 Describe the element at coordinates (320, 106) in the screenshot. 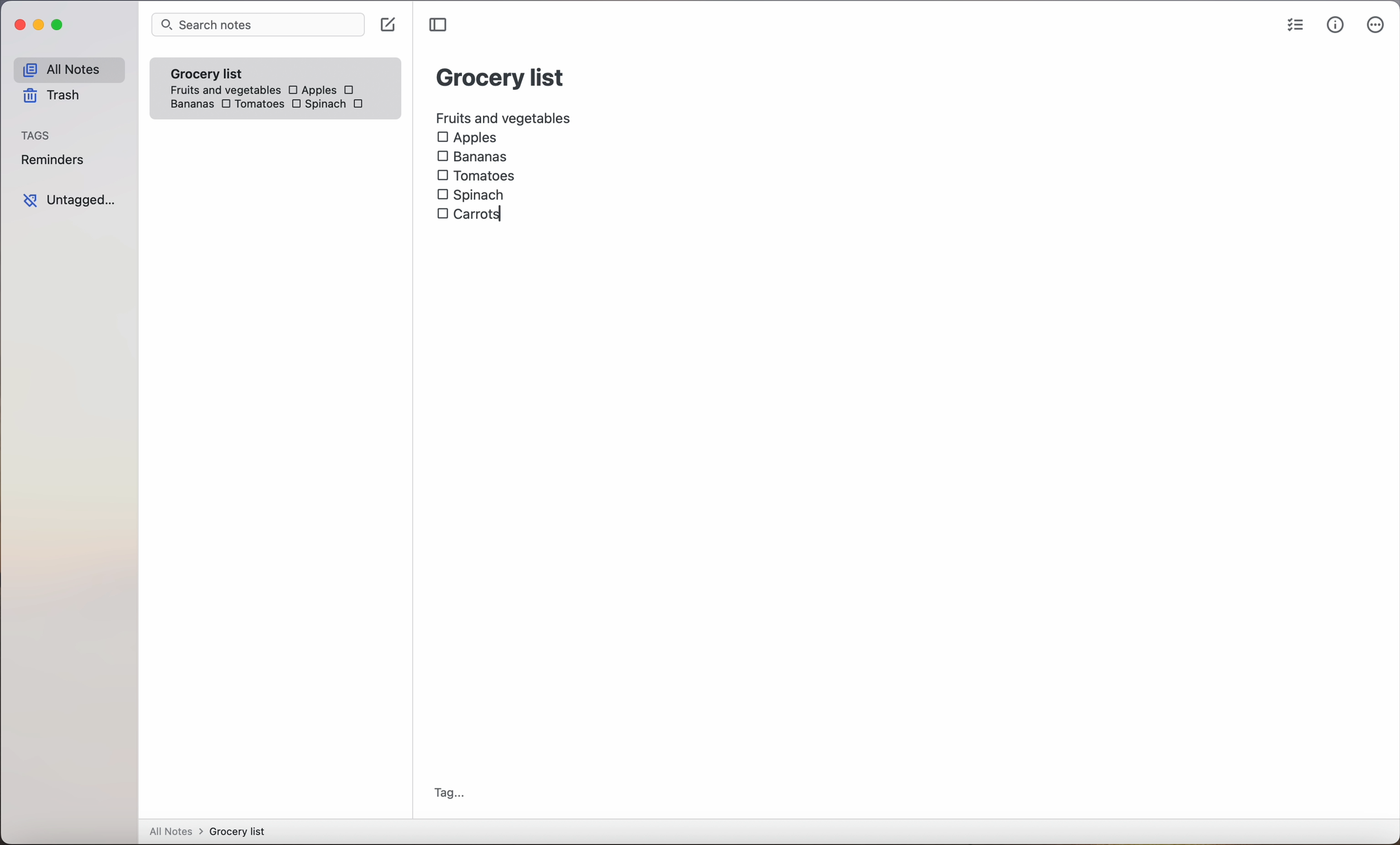

I see `Spinach checkbox` at that location.